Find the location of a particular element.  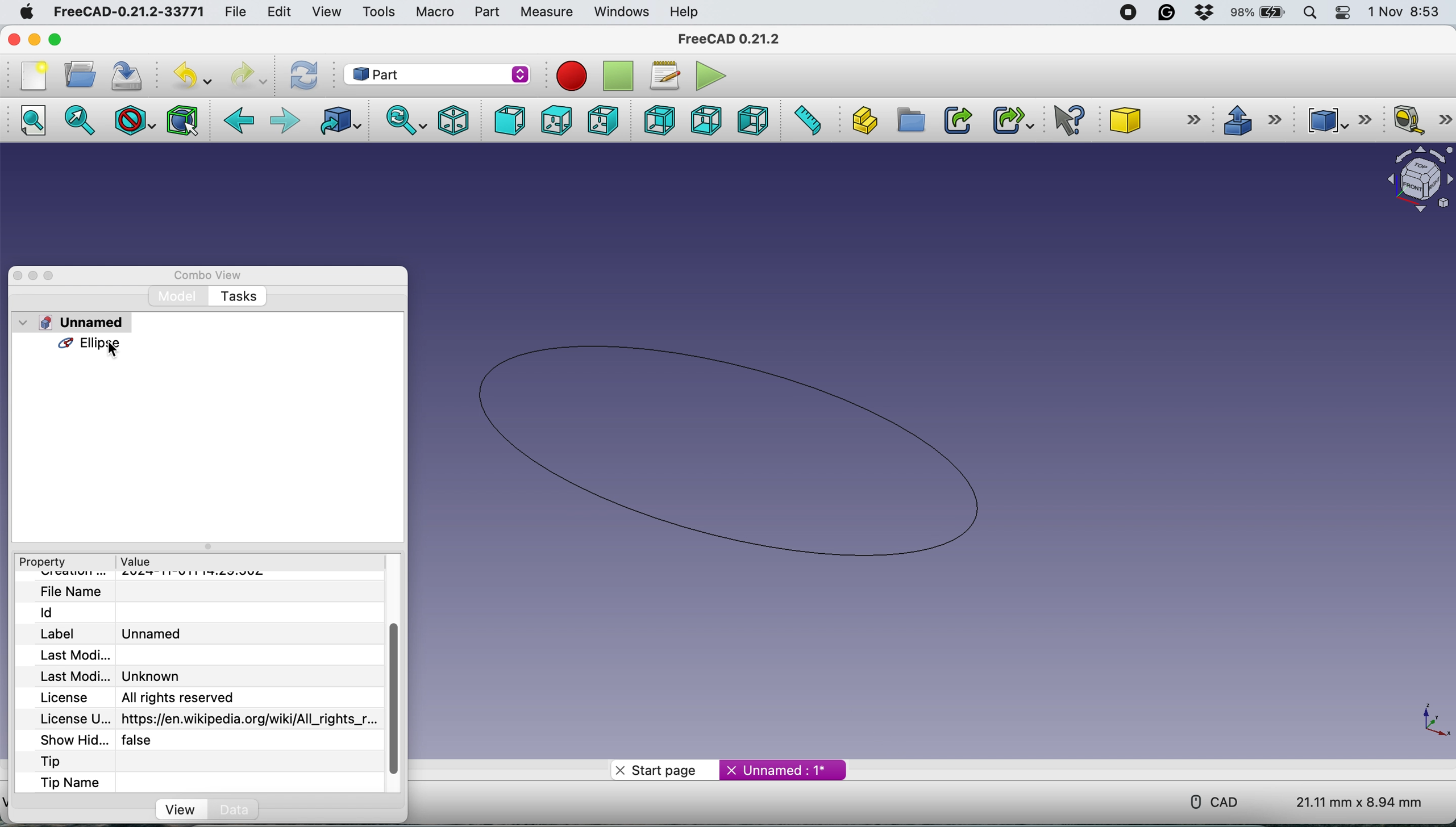

control center is located at coordinates (1341, 13).